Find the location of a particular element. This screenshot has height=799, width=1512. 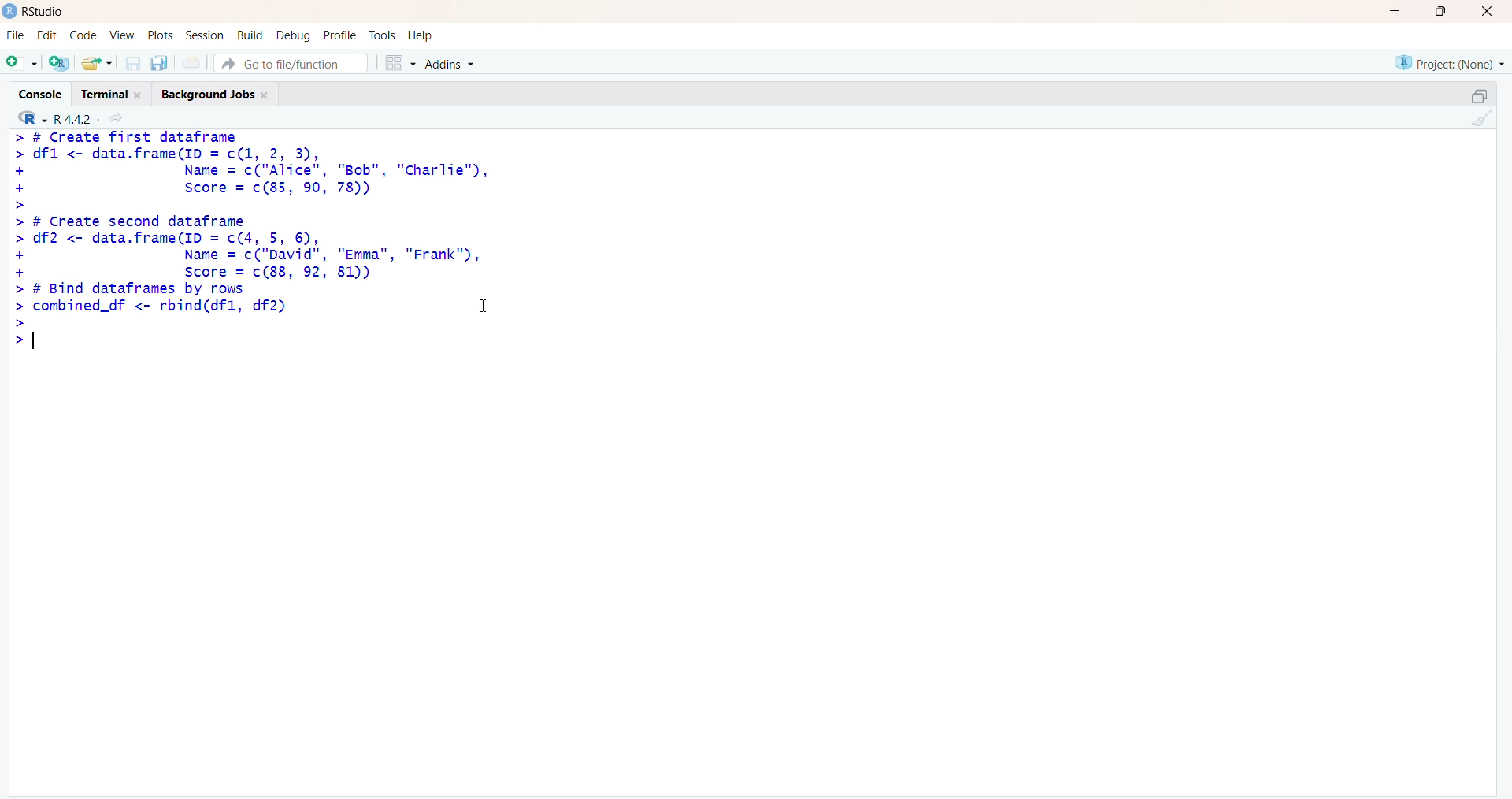

view current directory is located at coordinates (115, 117).